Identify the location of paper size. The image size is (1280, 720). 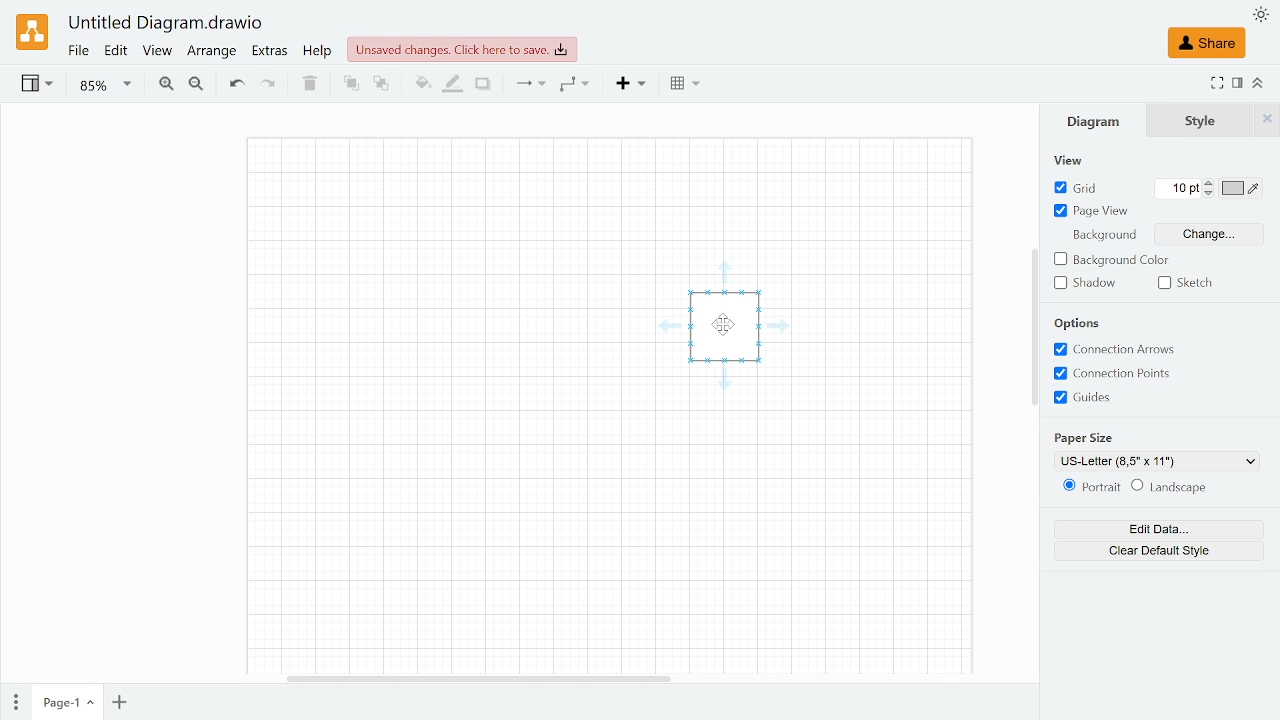
(1086, 439).